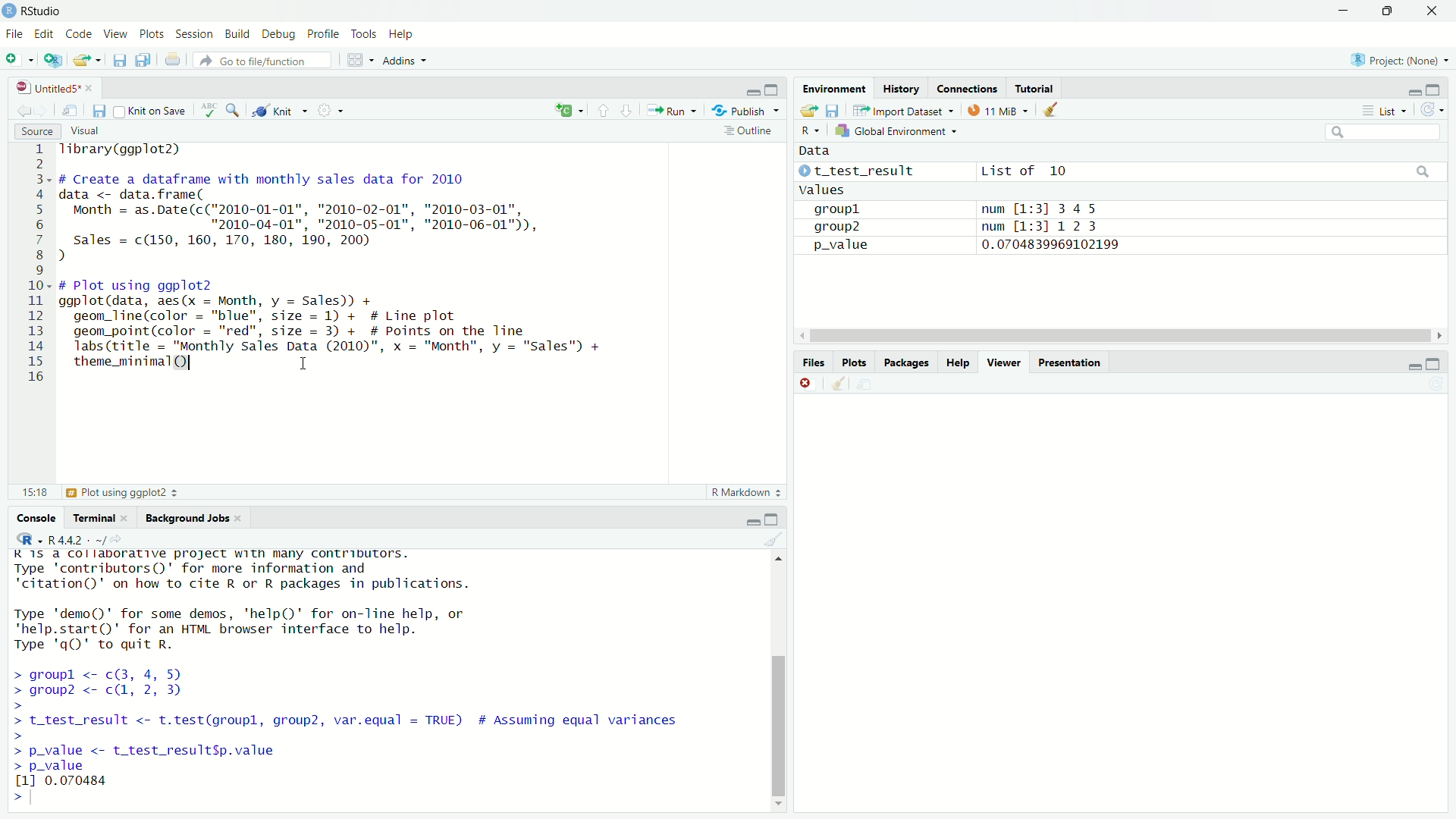  What do you see at coordinates (86, 130) in the screenshot?
I see `Visual` at bounding box center [86, 130].